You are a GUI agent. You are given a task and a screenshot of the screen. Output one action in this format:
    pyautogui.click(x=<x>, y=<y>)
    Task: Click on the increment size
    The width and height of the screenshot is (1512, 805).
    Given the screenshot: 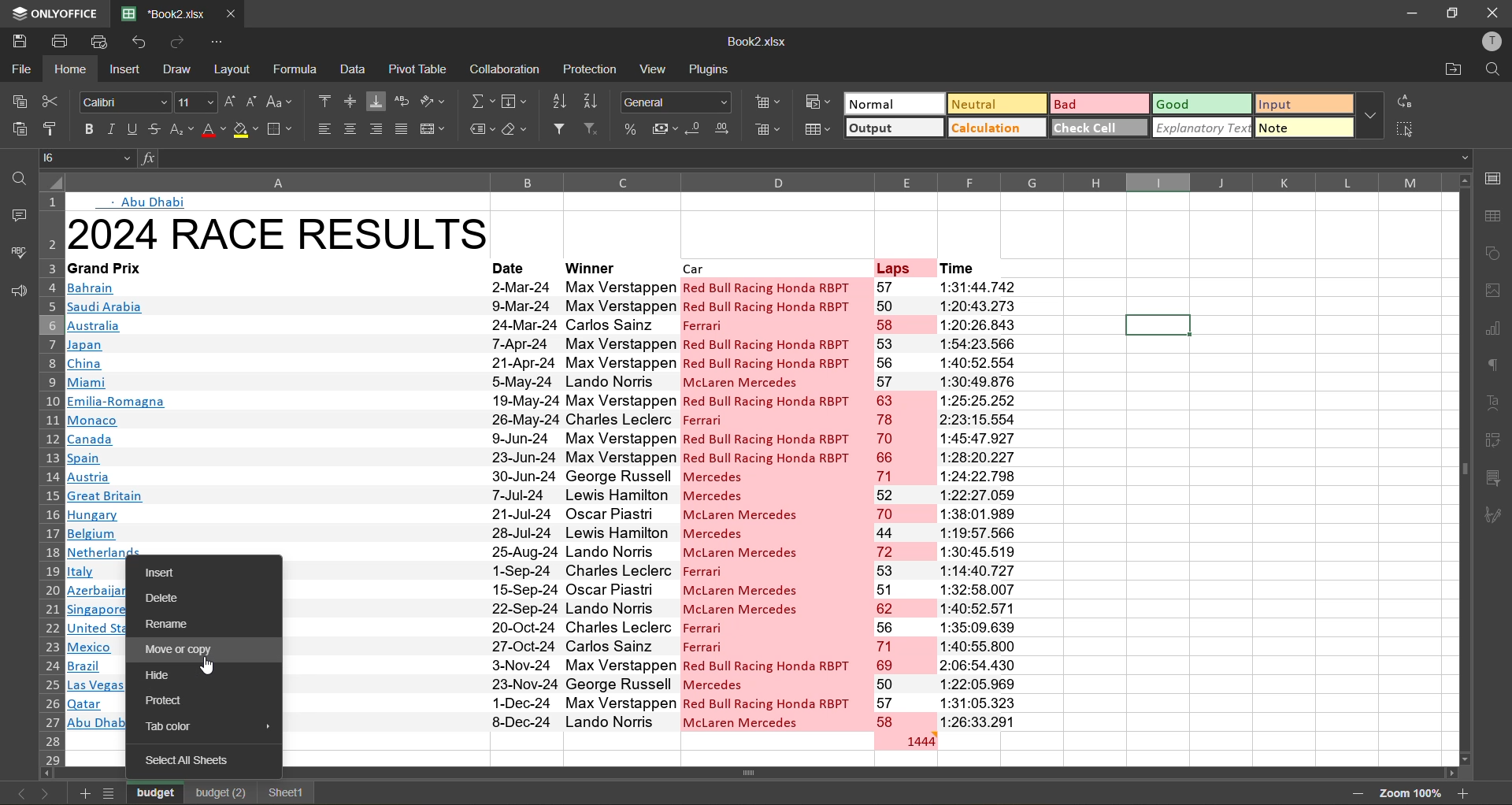 What is the action you would take?
    pyautogui.click(x=231, y=101)
    